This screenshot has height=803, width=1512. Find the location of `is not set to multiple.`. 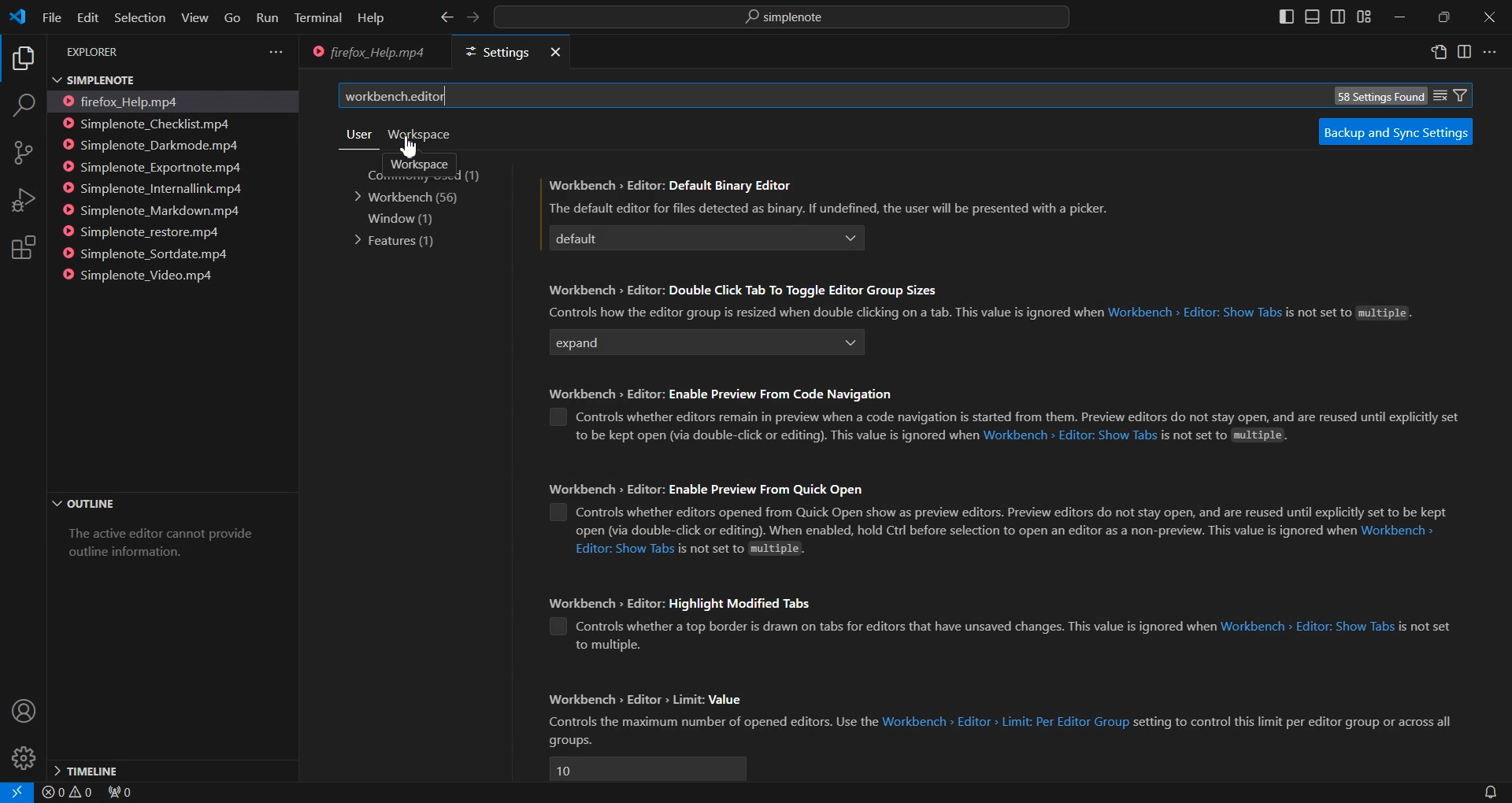

is not set to multiple. is located at coordinates (749, 548).